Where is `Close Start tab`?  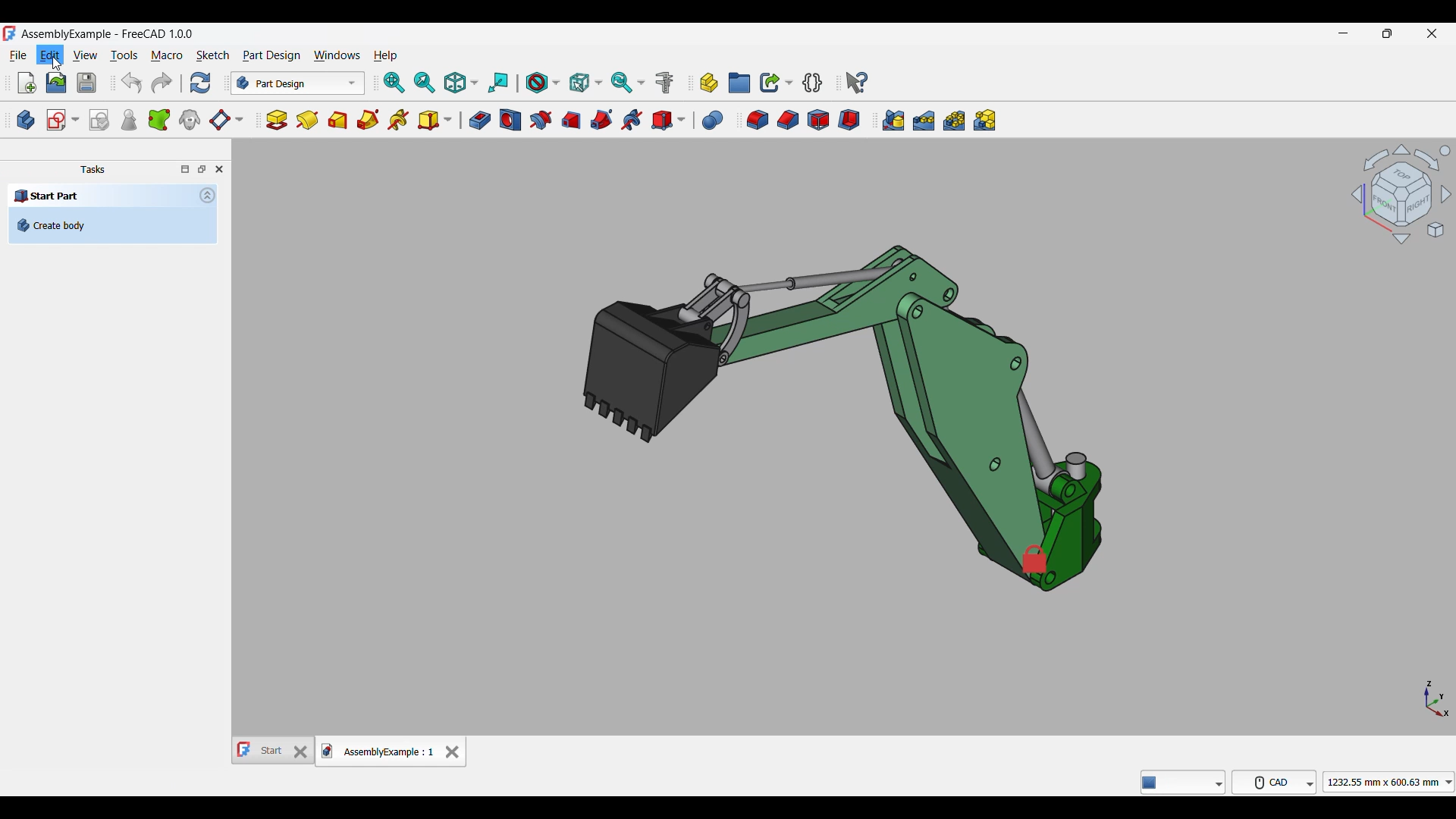
Close Start tab is located at coordinates (301, 752).